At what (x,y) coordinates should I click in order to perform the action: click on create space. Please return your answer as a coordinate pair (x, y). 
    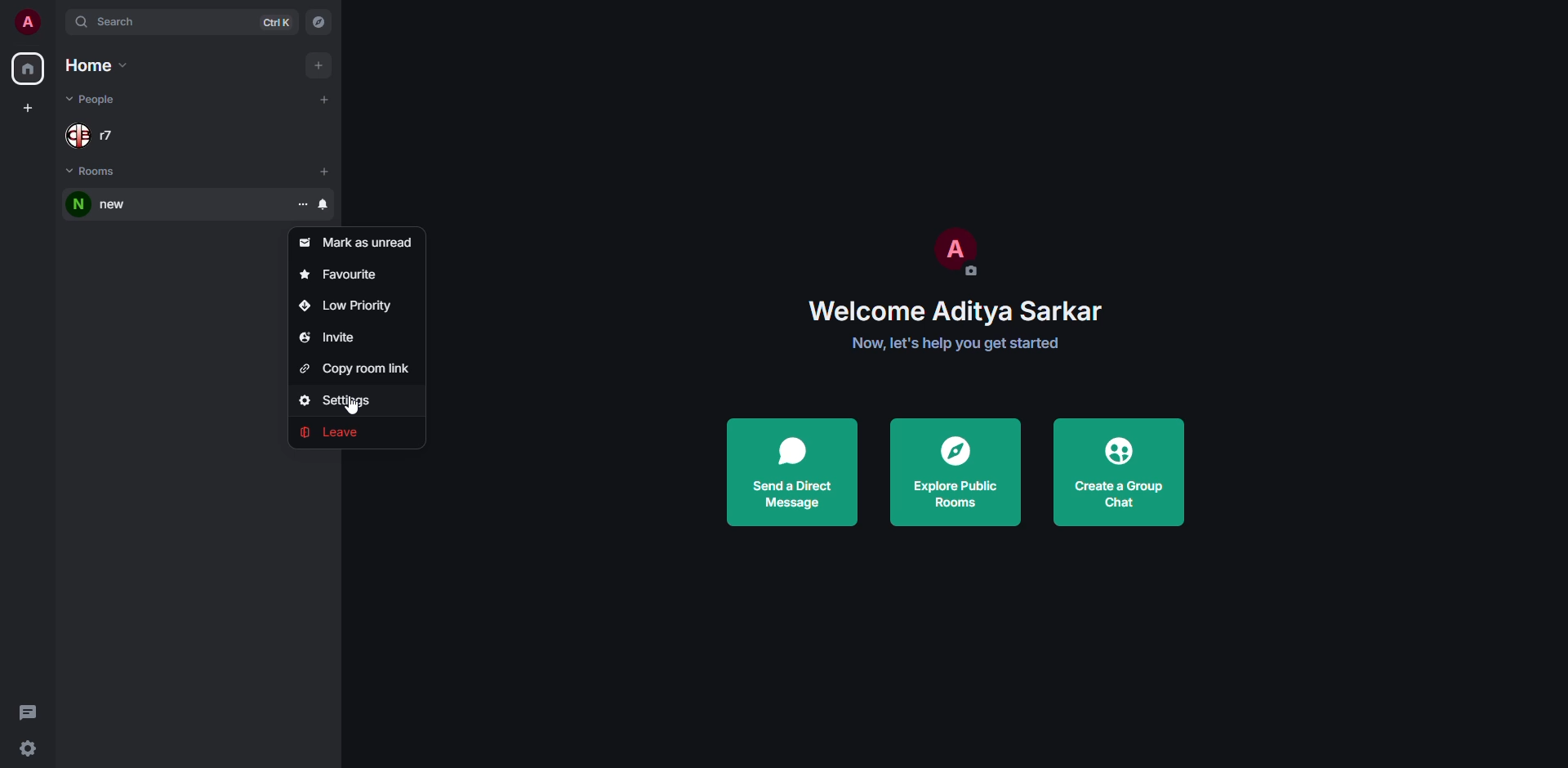
    Looking at the image, I should click on (28, 107).